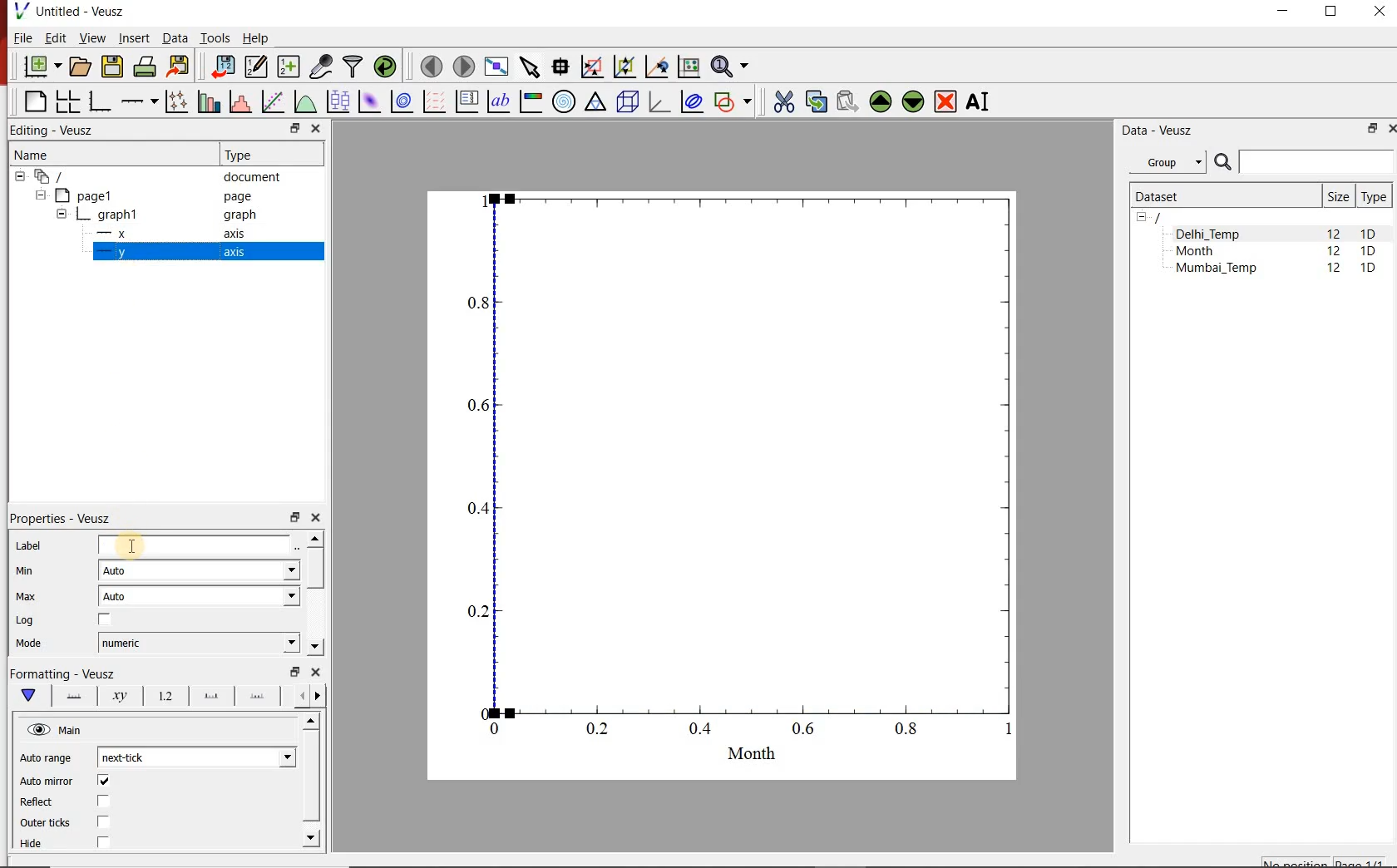  What do you see at coordinates (74, 11) in the screenshot?
I see `Untitled-Veusz` at bounding box center [74, 11].